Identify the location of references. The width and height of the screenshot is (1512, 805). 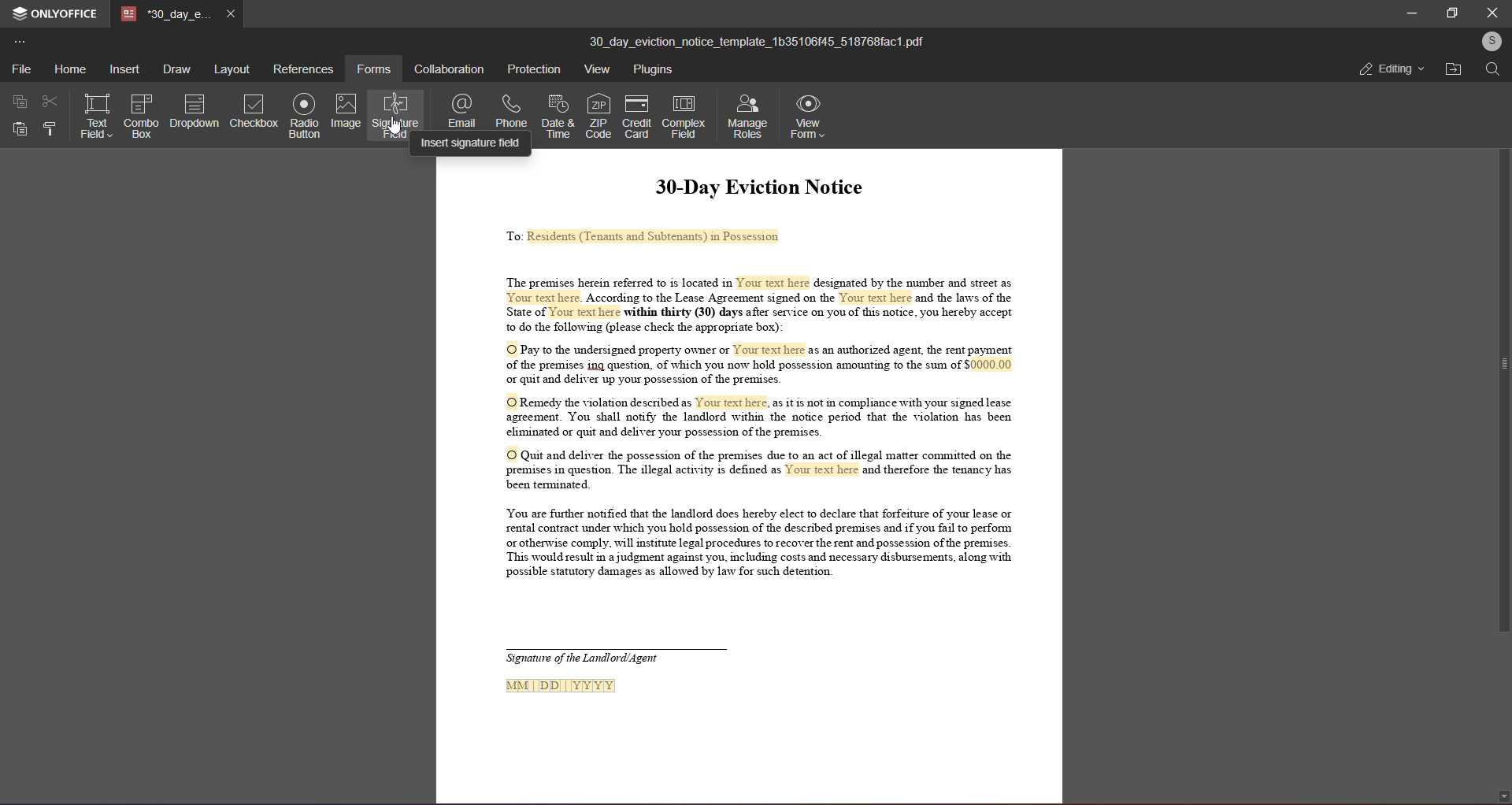
(304, 68).